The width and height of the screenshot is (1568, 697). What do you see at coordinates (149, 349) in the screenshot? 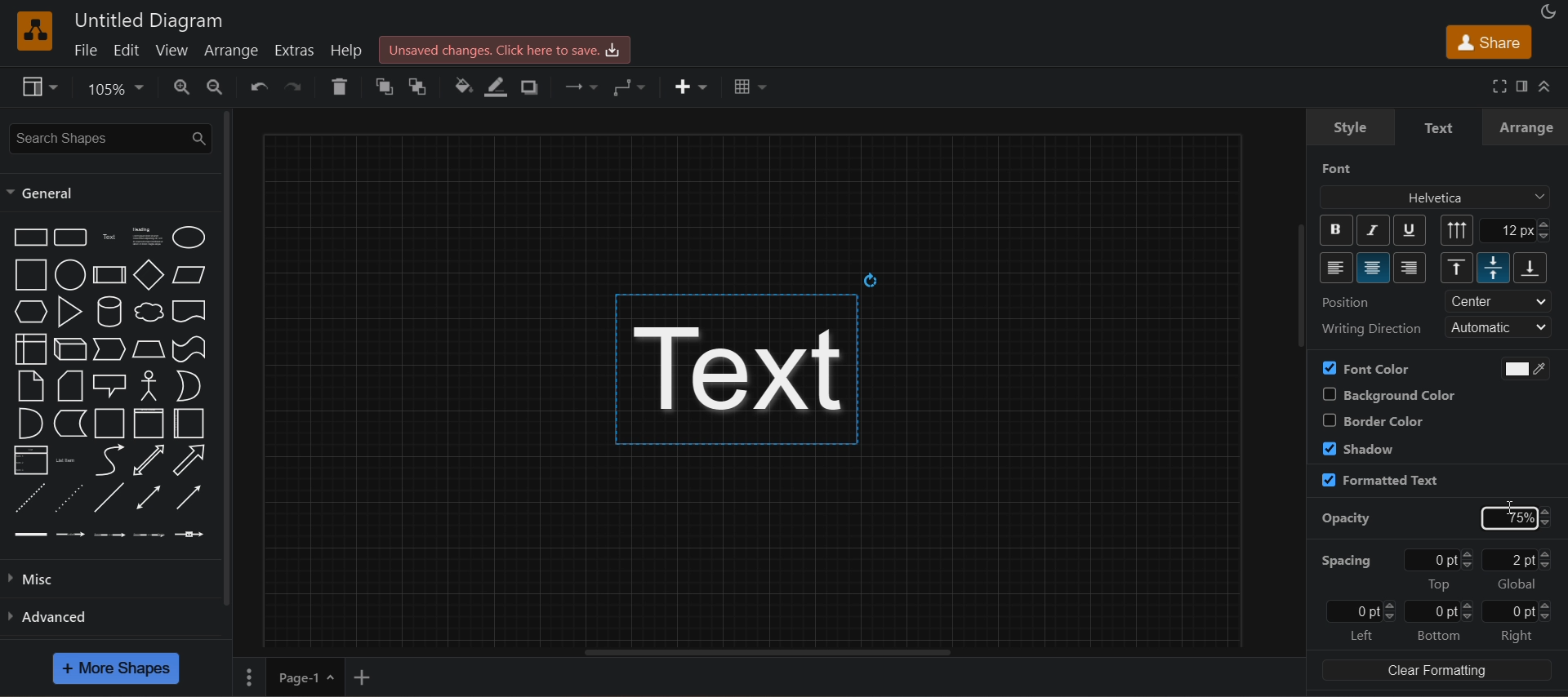
I see `trapezoid` at bounding box center [149, 349].